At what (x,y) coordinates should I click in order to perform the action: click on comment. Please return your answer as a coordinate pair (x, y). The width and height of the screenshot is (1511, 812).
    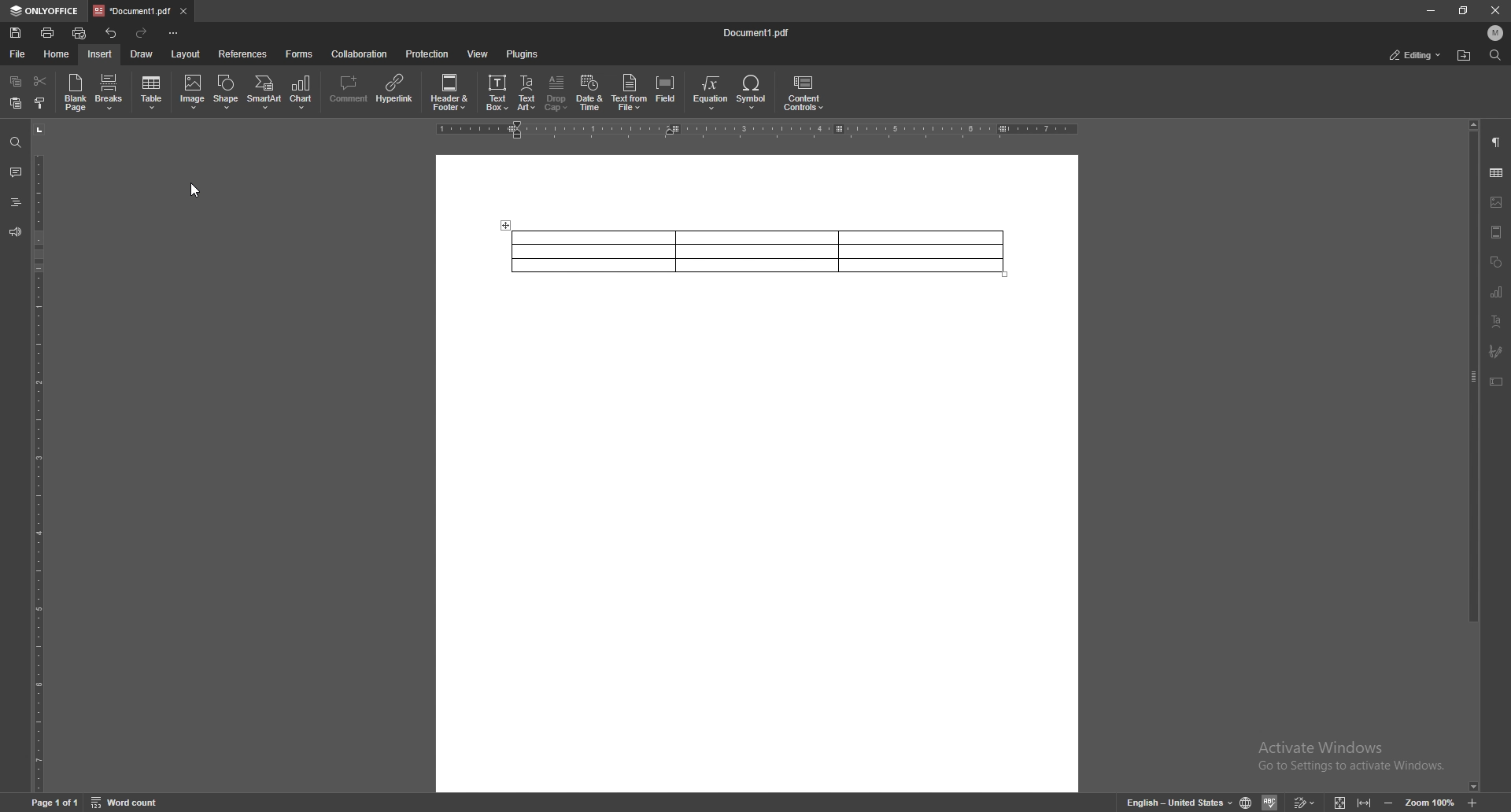
    Looking at the image, I should click on (16, 172).